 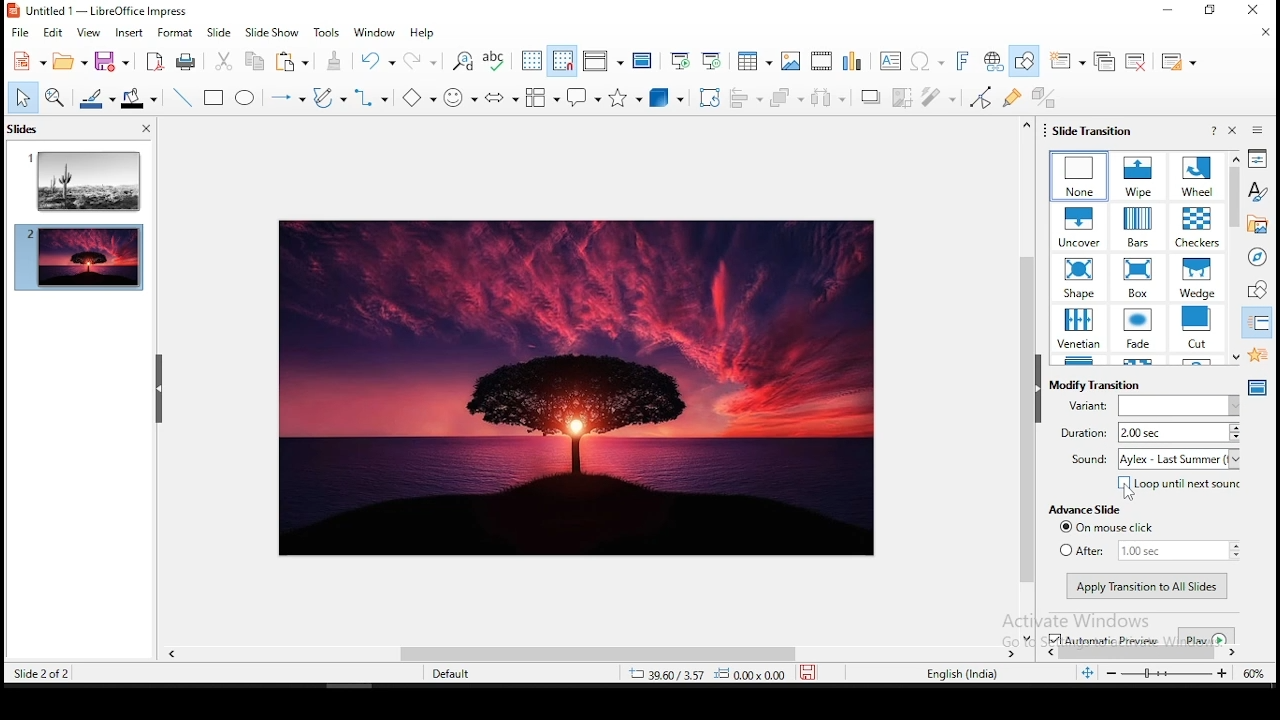 What do you see at coordinates (1256, 257) in the screenshot?
I see `navigator` at bounding box center [1256, 257].